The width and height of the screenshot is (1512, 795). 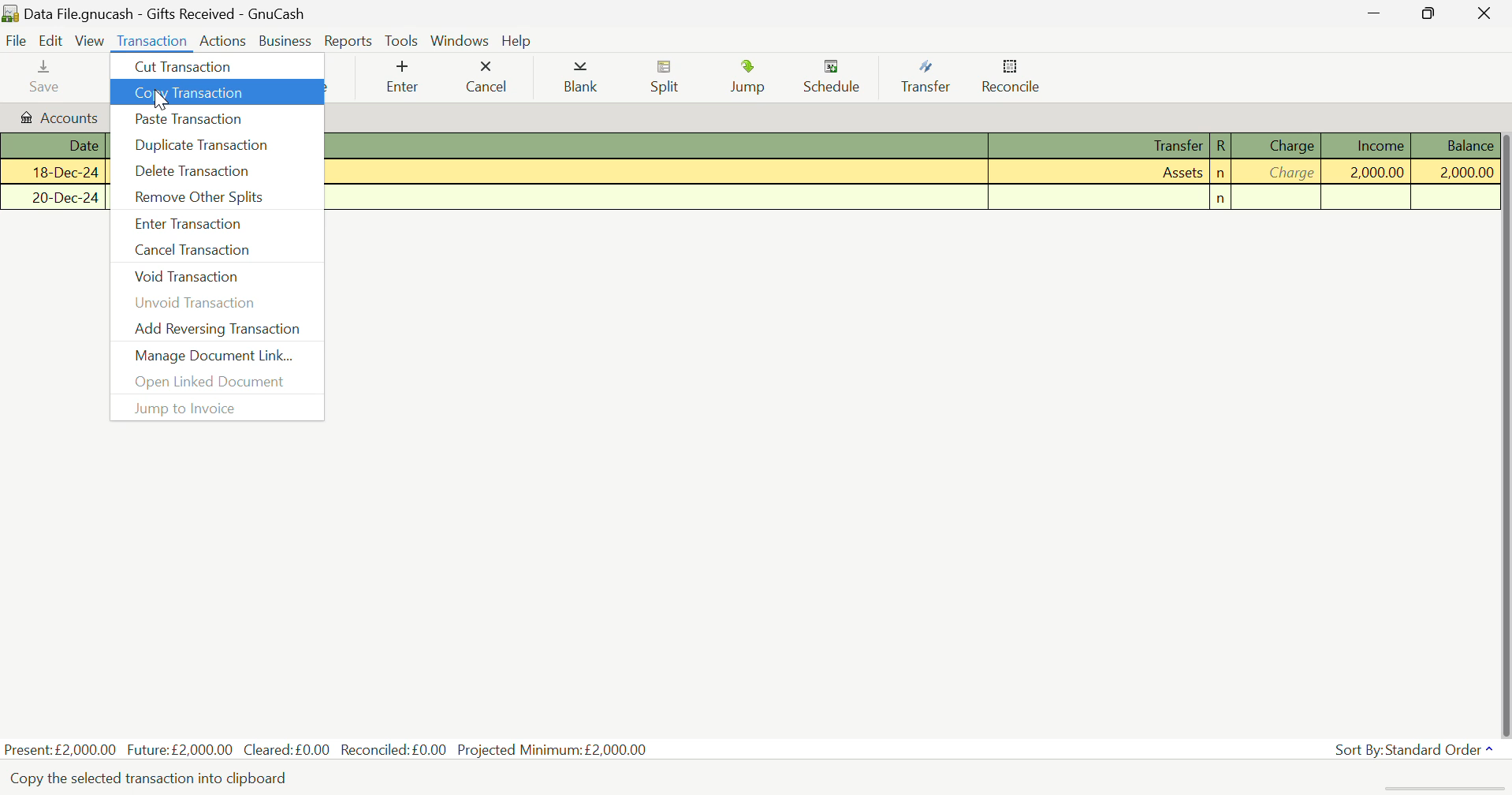 What do you see at coordinates (207, 304) in the screenshot?
I see `Unvoid Transaction` at bounding box center [207, 304].